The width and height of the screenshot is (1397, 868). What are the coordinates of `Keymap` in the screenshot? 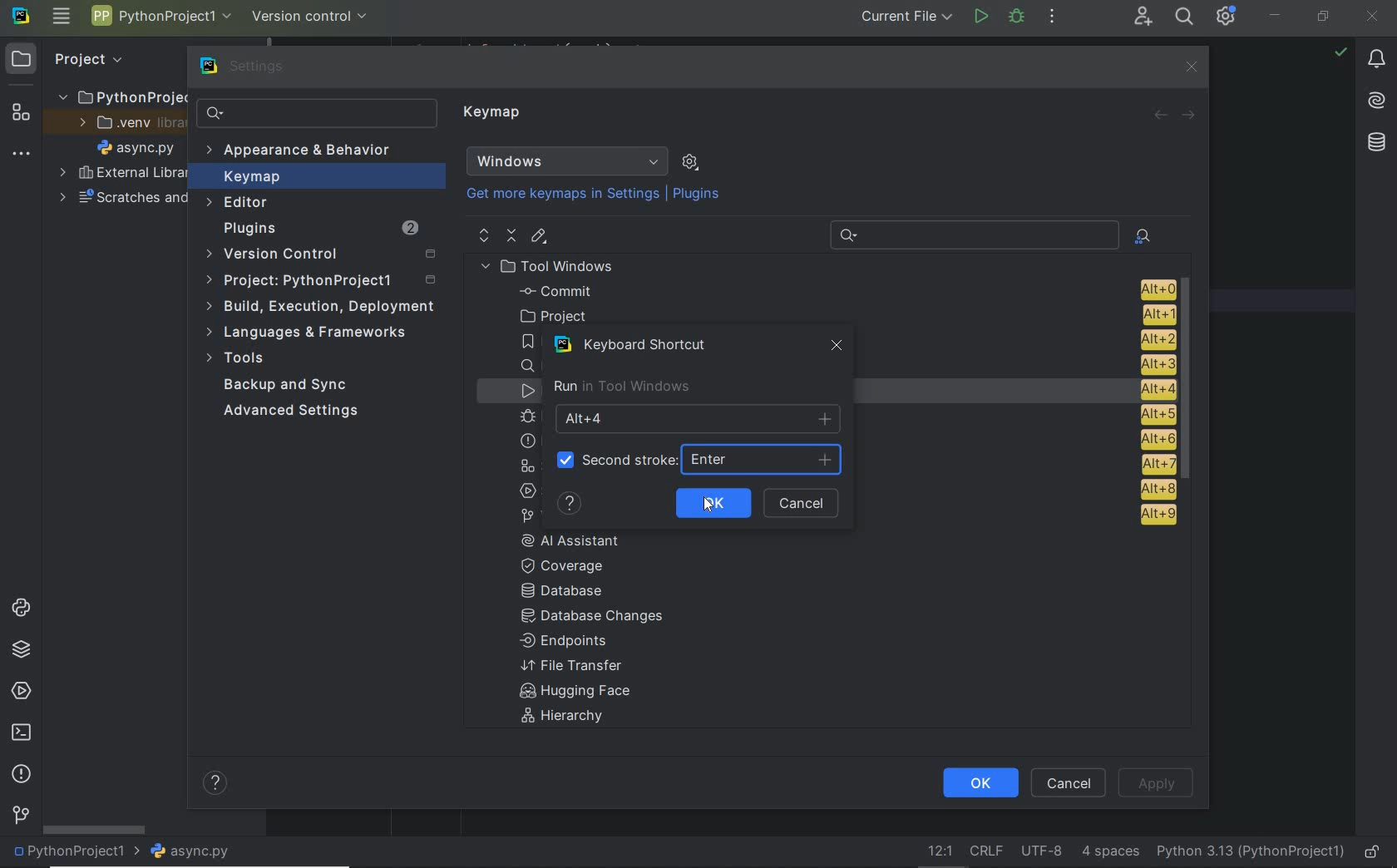 It's located at (317, 176).